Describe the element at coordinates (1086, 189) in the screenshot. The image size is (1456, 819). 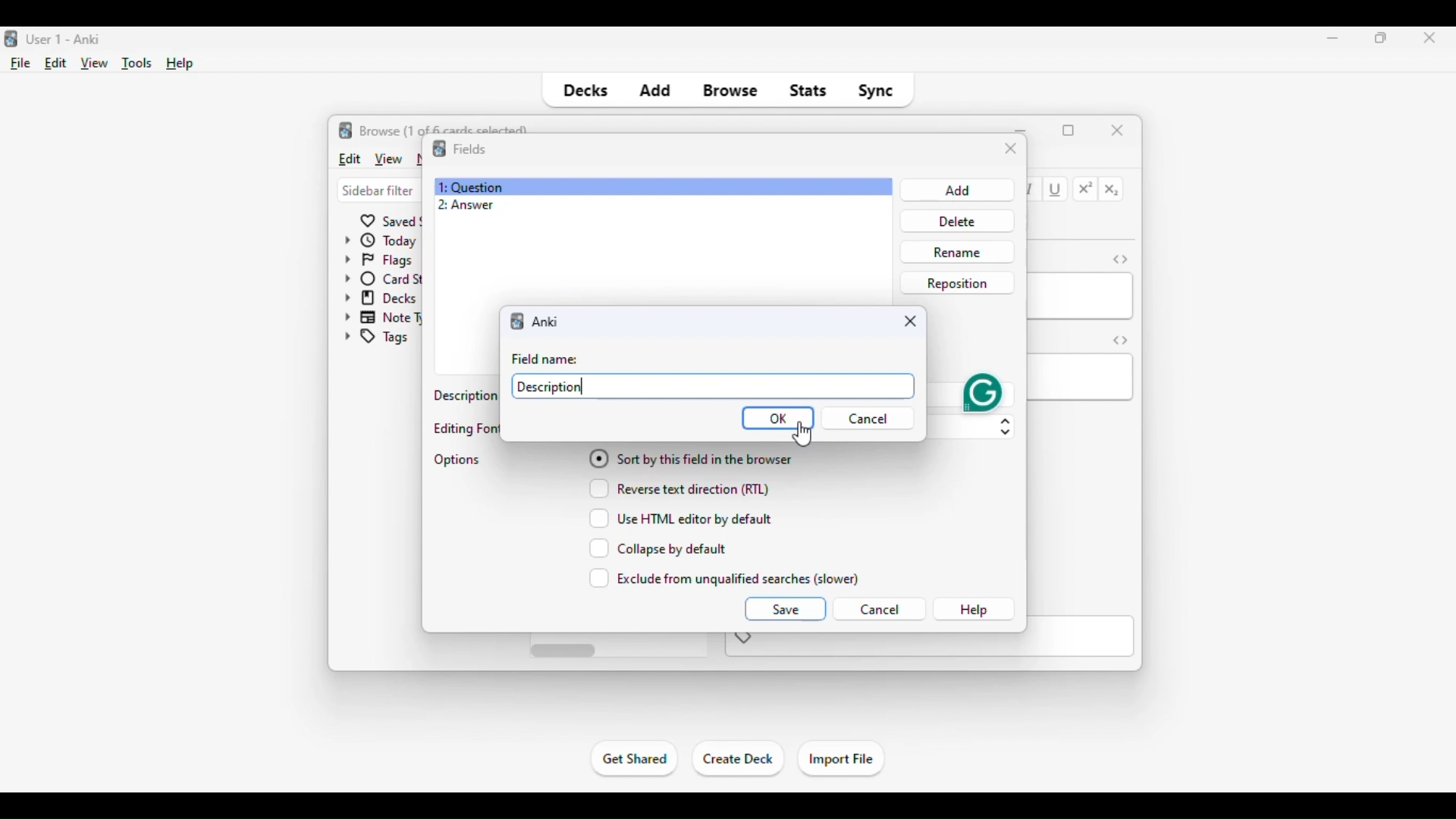
I see `superscript` at that location.